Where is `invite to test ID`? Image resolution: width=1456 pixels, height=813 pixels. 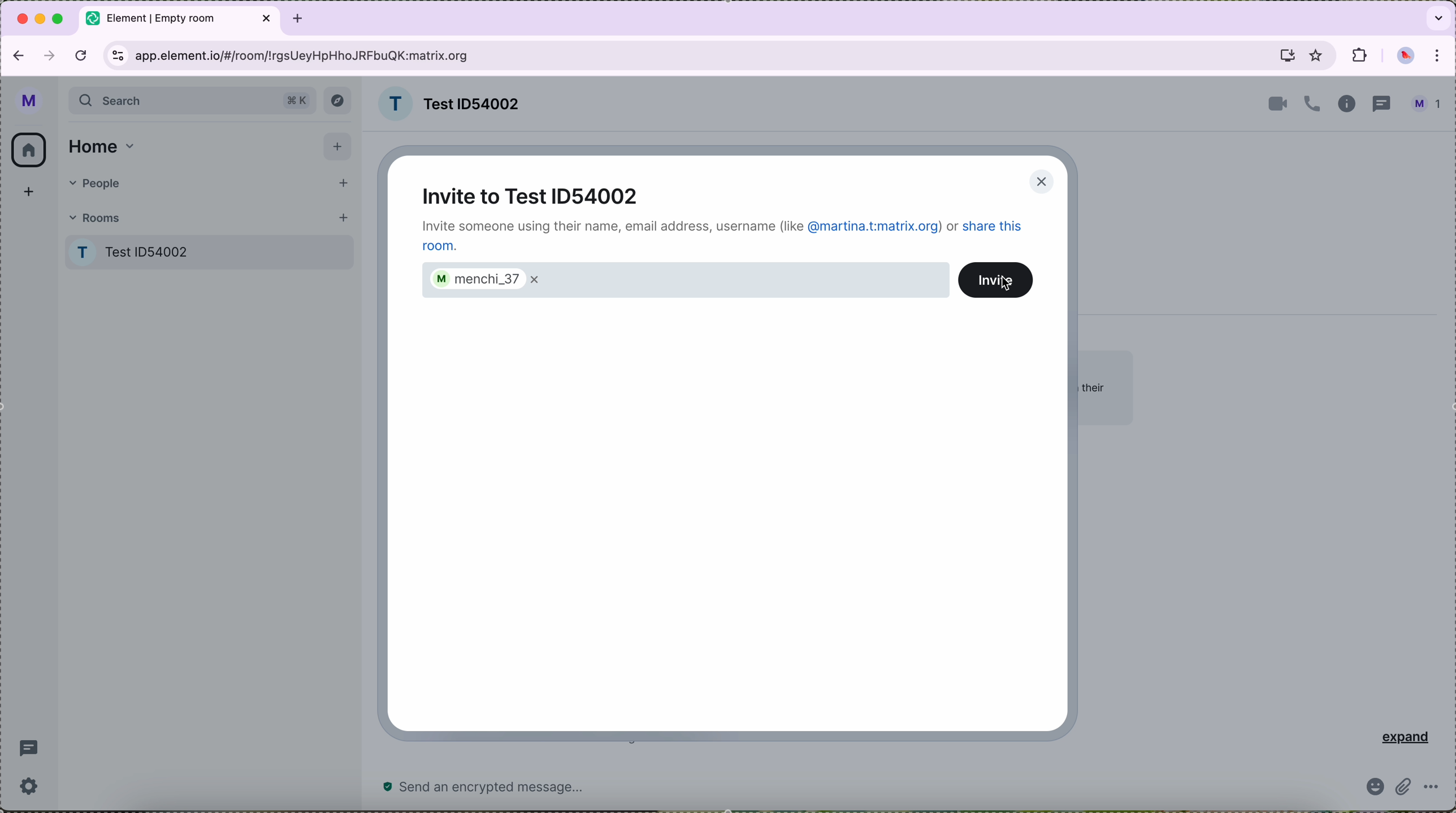
invite to test ID is located at coordinates (533, 194).